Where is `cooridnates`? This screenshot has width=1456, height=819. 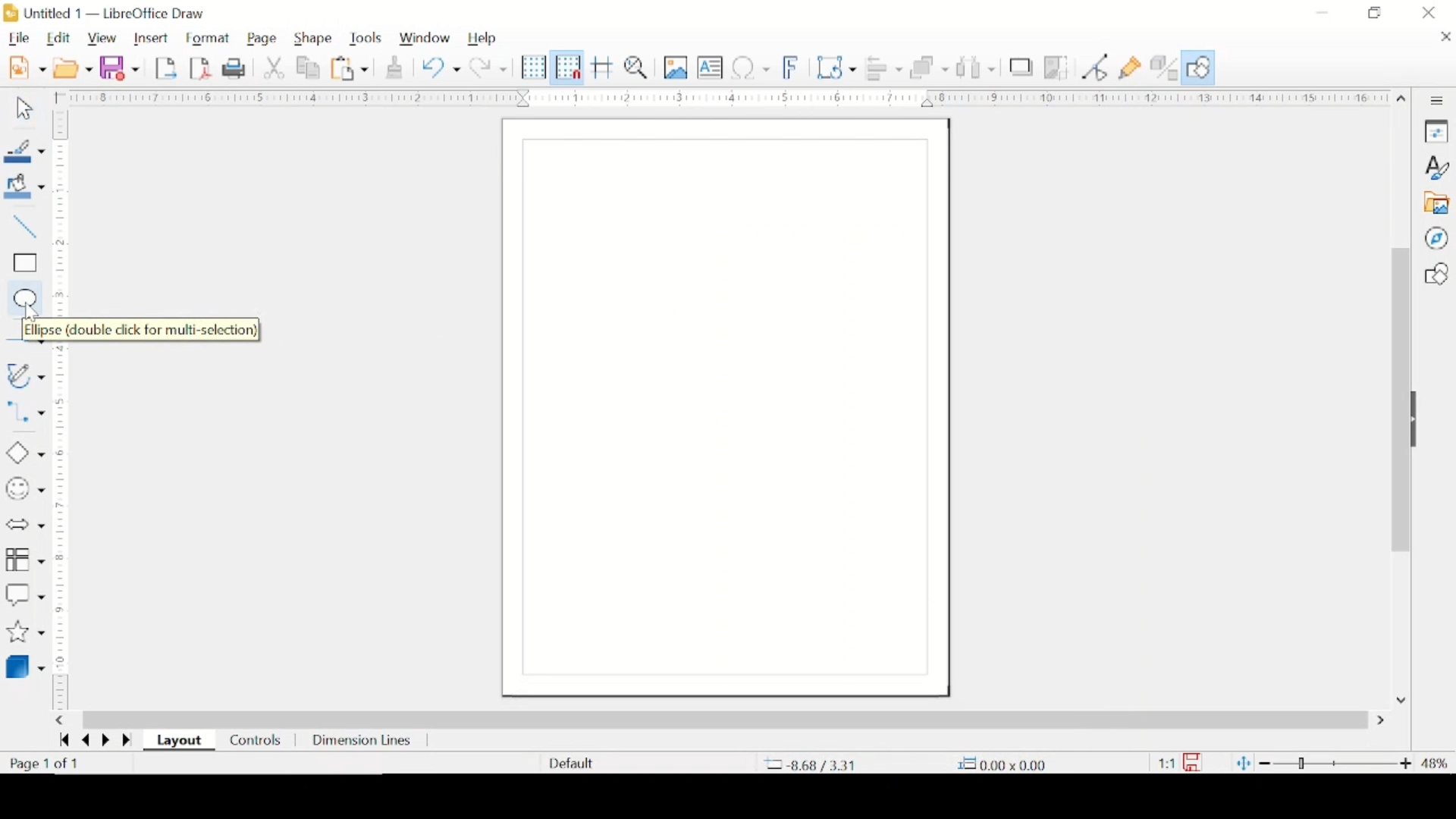
cooridnates is located at coordinates (814, 764).